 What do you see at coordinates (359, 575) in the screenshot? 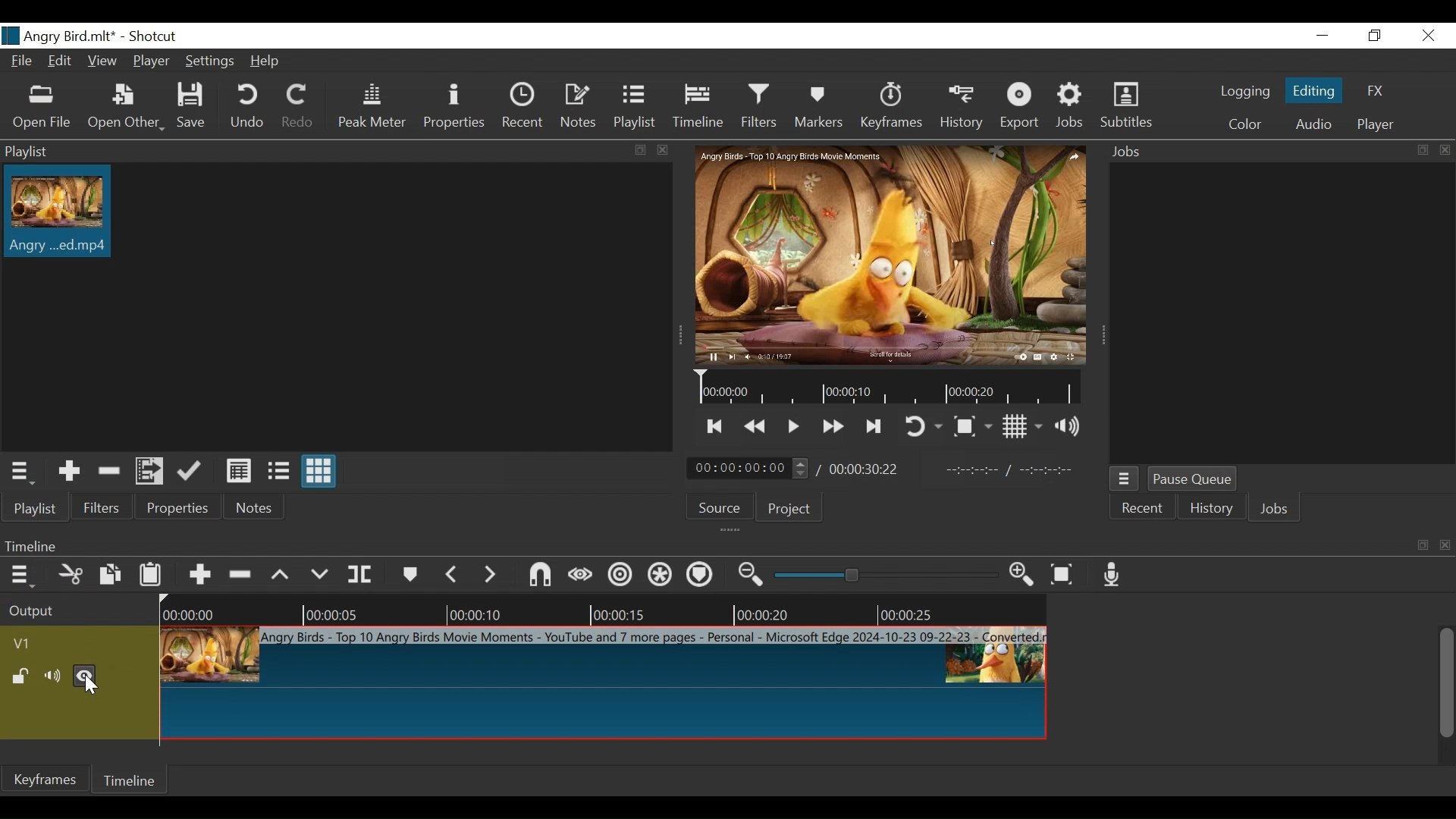
I see `Split Playhead` at bounding box center [359, 575].